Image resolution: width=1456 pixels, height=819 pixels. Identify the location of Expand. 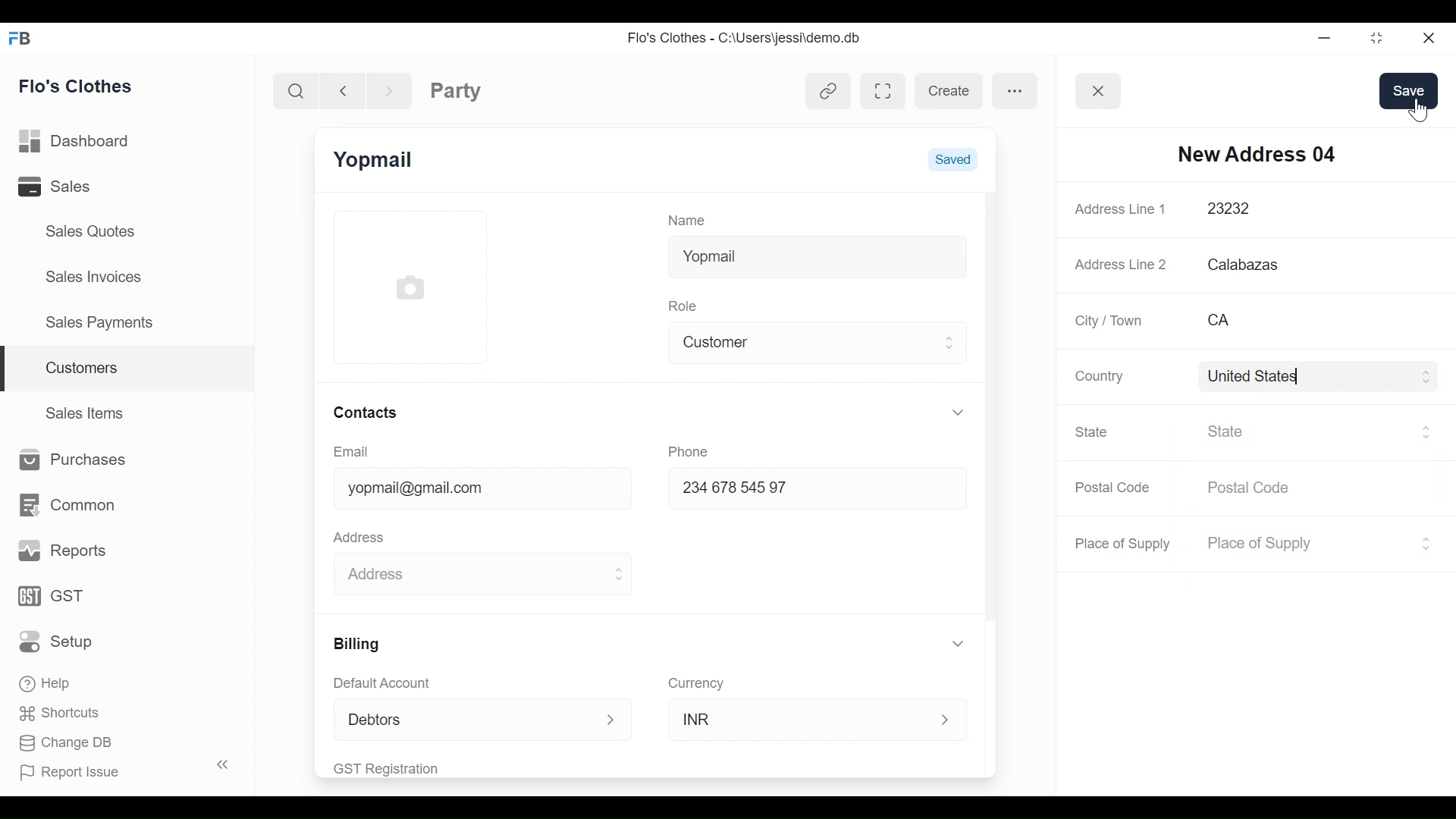
(612, 720).